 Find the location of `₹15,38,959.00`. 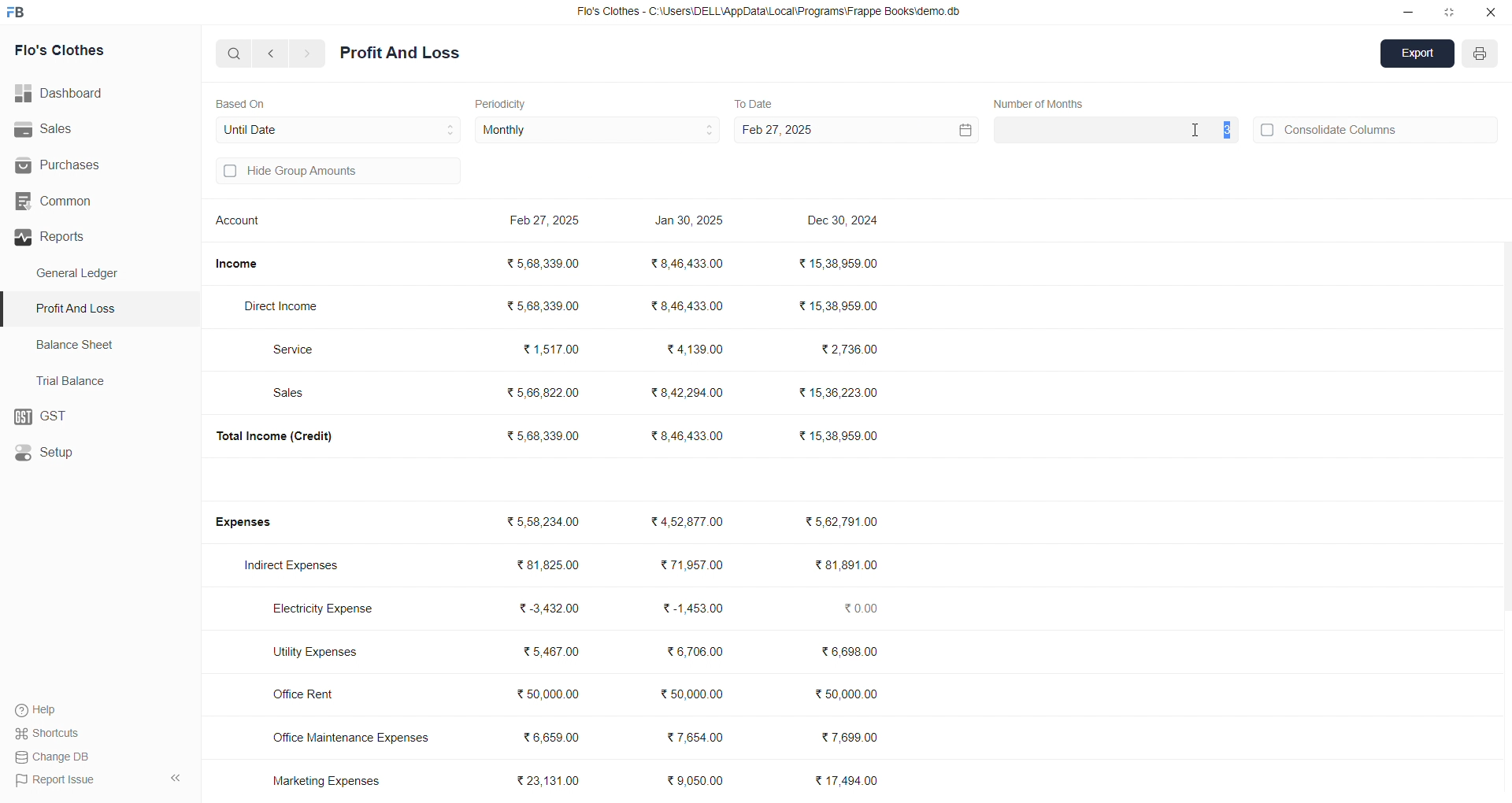

₹15,38,959.00 is located at coordinates (840, 264).